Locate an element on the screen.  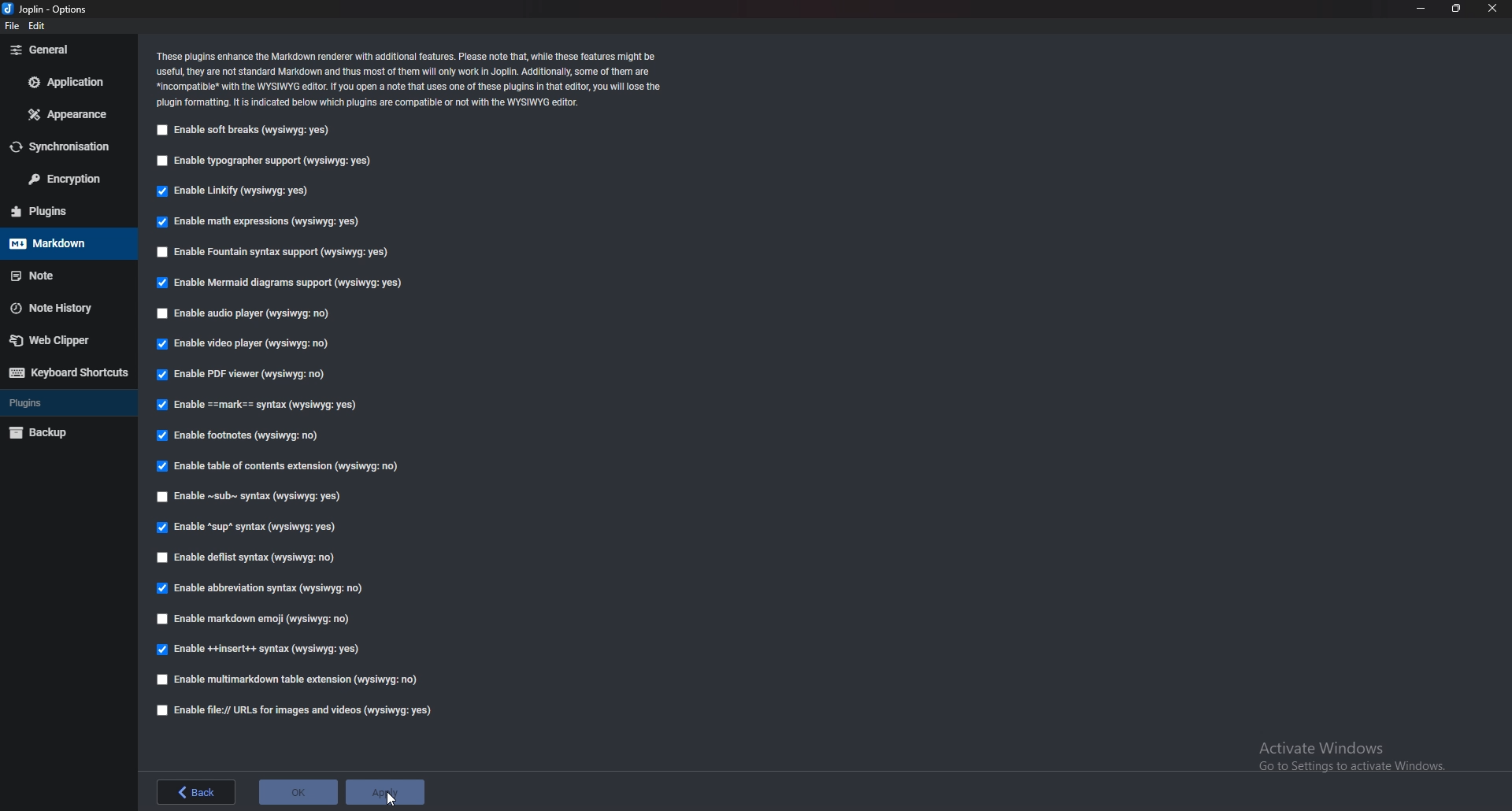
Enable math expressions is located at coordinates (265, 221).